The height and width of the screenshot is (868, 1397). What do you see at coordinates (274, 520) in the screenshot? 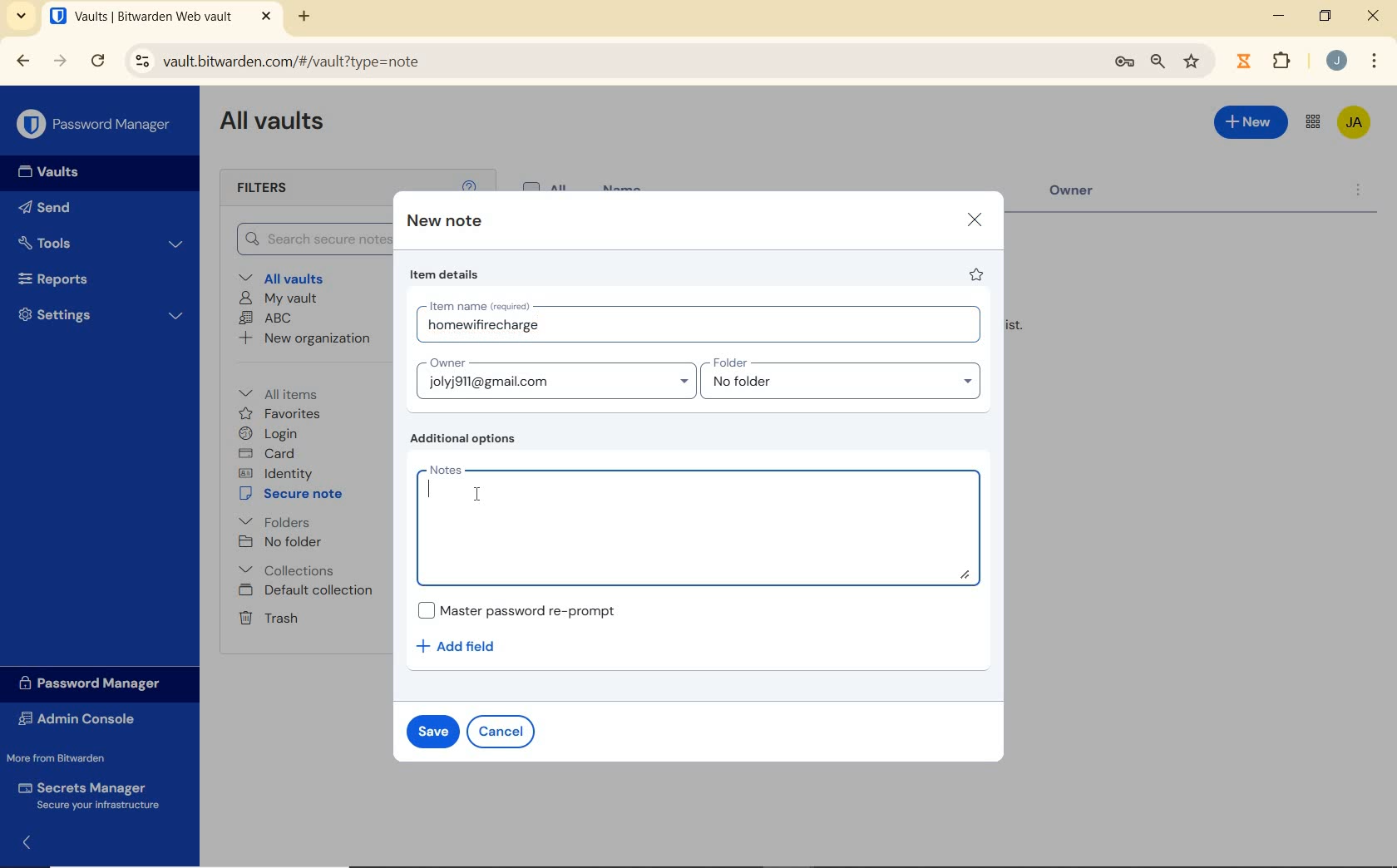
I see `folders` at bounding box center [274, 520].